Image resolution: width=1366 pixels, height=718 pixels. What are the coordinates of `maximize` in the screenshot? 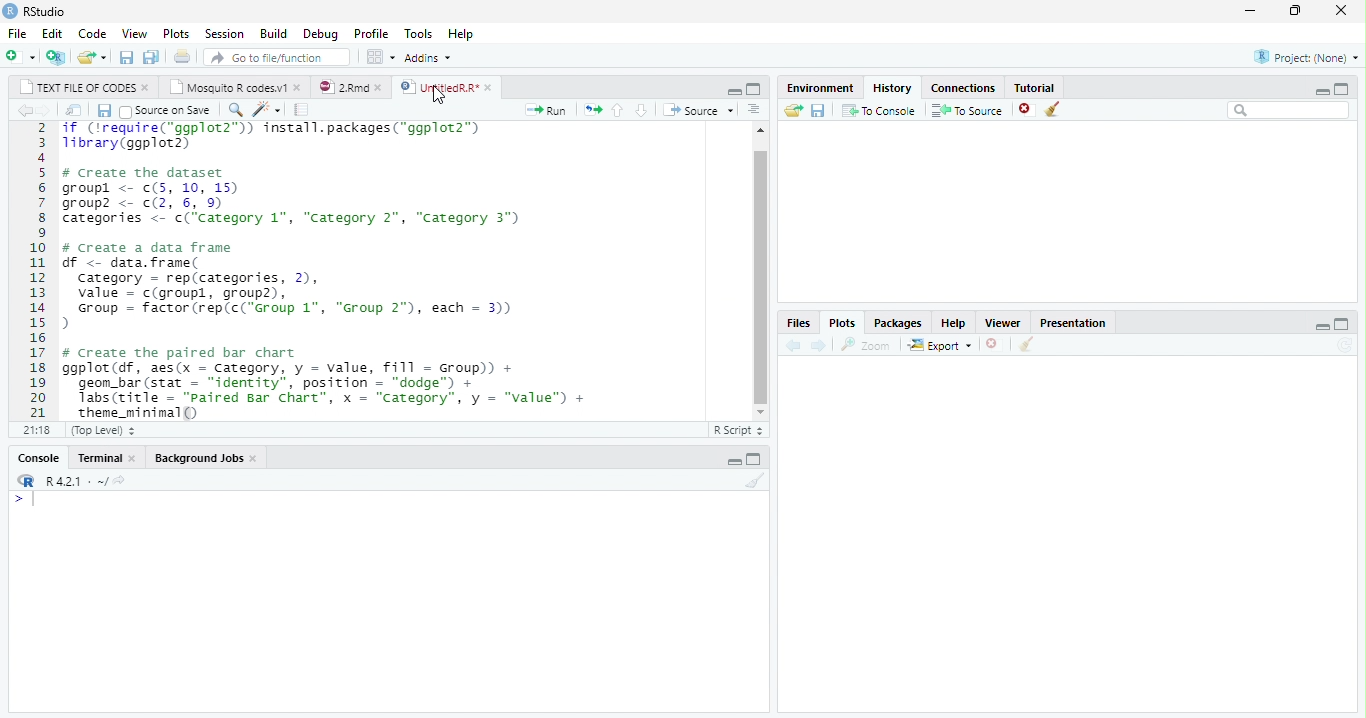 It's located at (758, 460).